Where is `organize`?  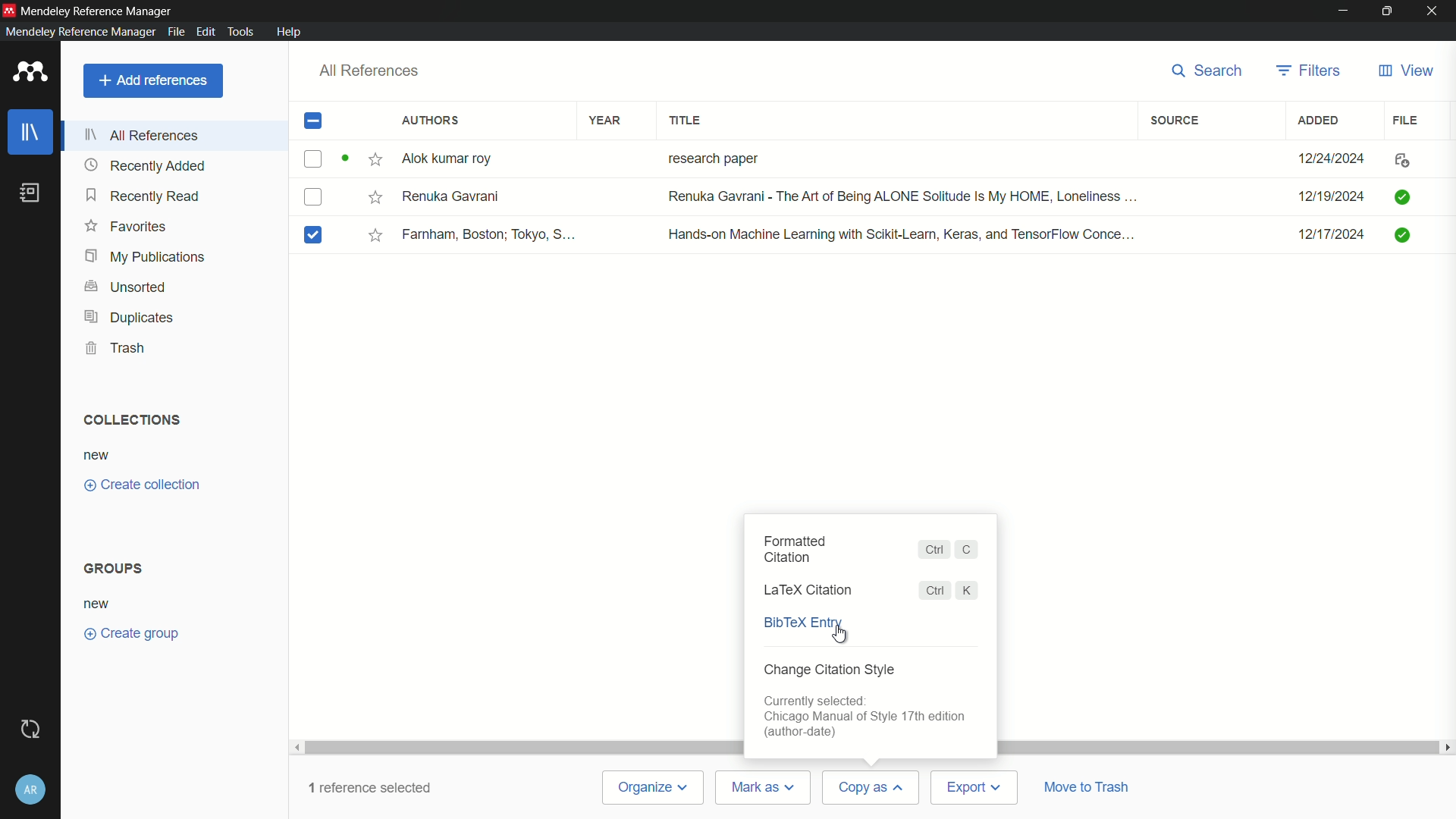 organize is located at coordinates (654, 789).